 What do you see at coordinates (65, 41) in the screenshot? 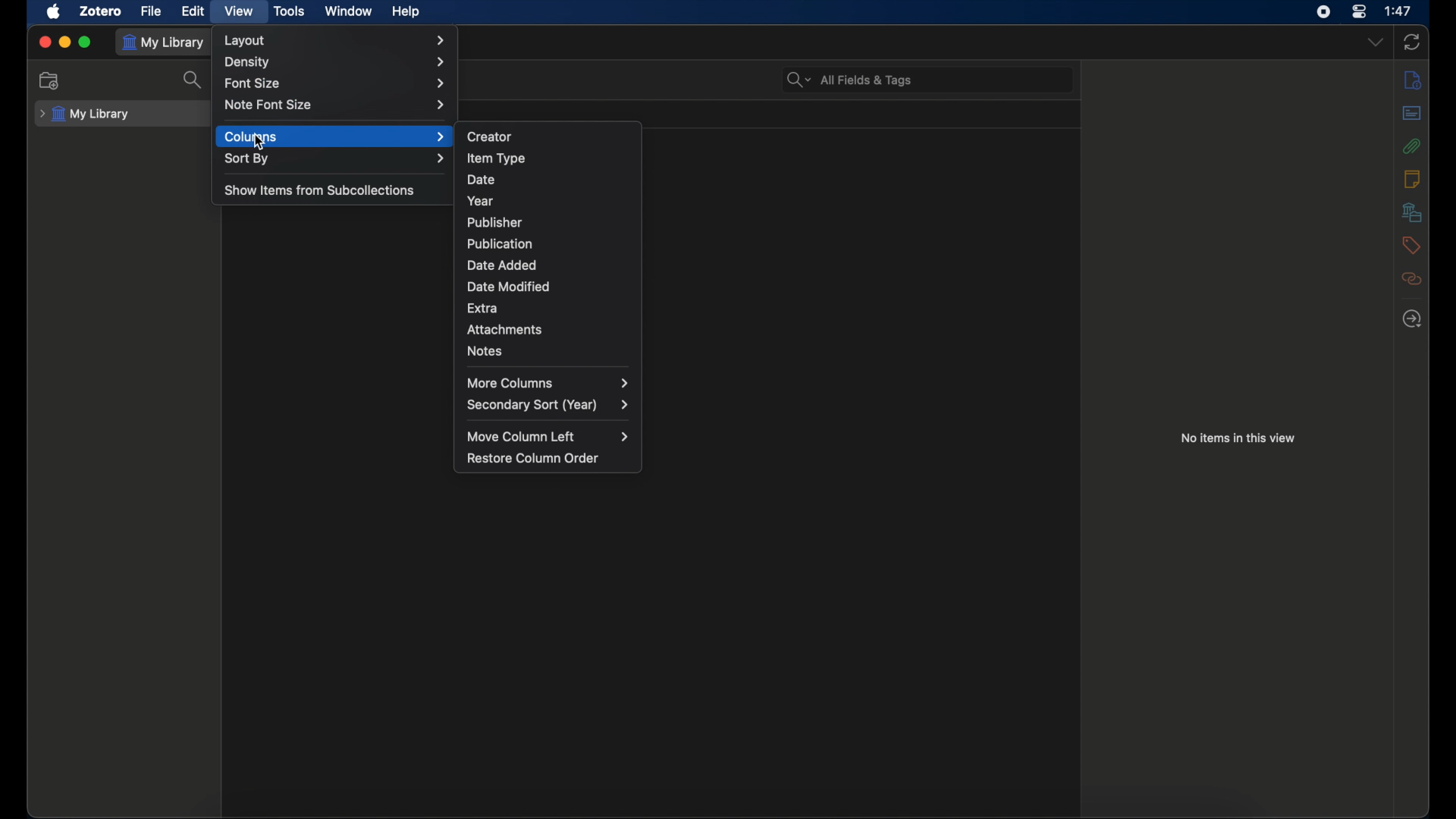
I see `minimize` at bounding box center [65, 41].